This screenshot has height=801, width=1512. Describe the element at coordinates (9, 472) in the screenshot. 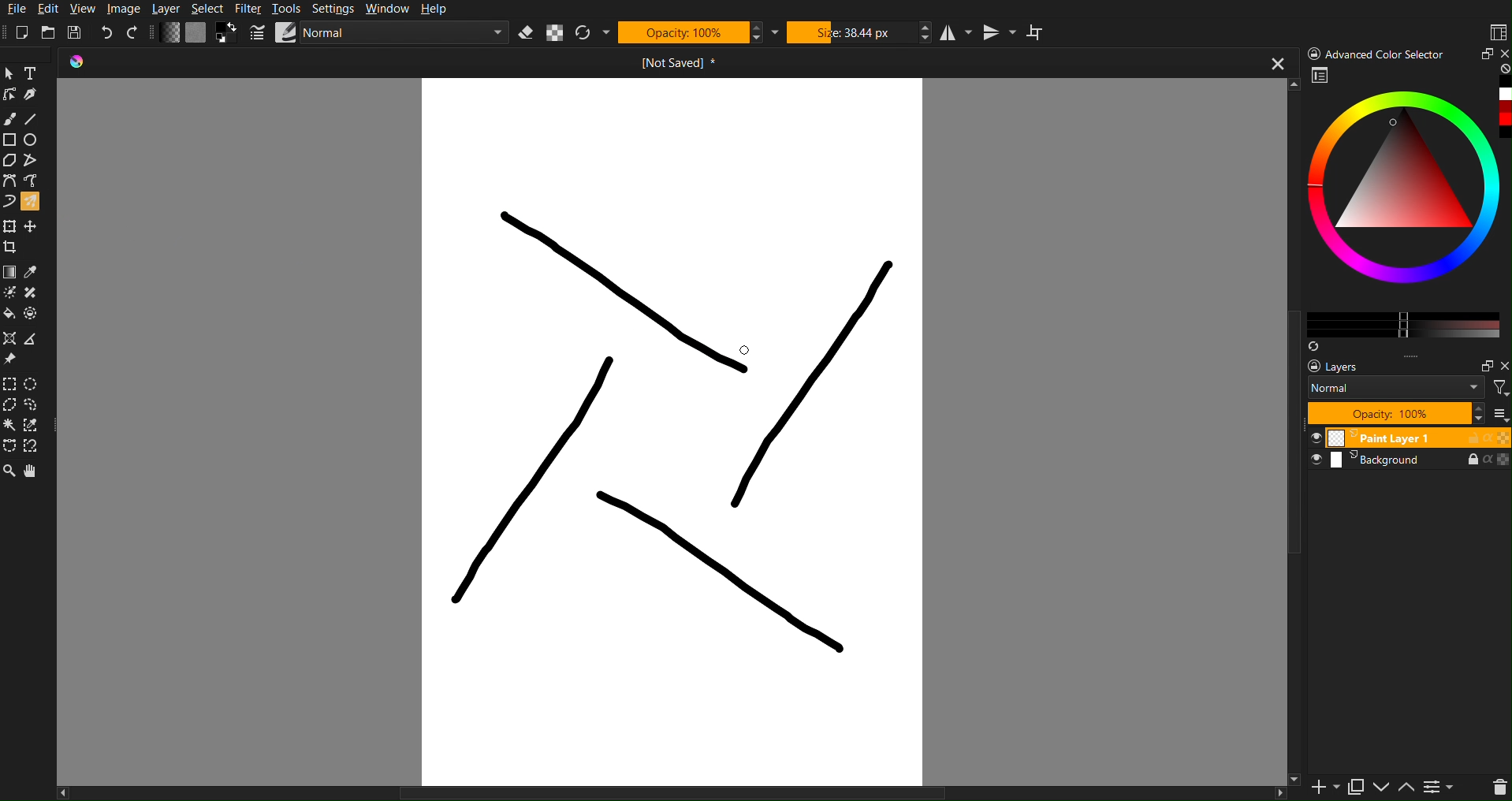

I see `Zoom` at that location.